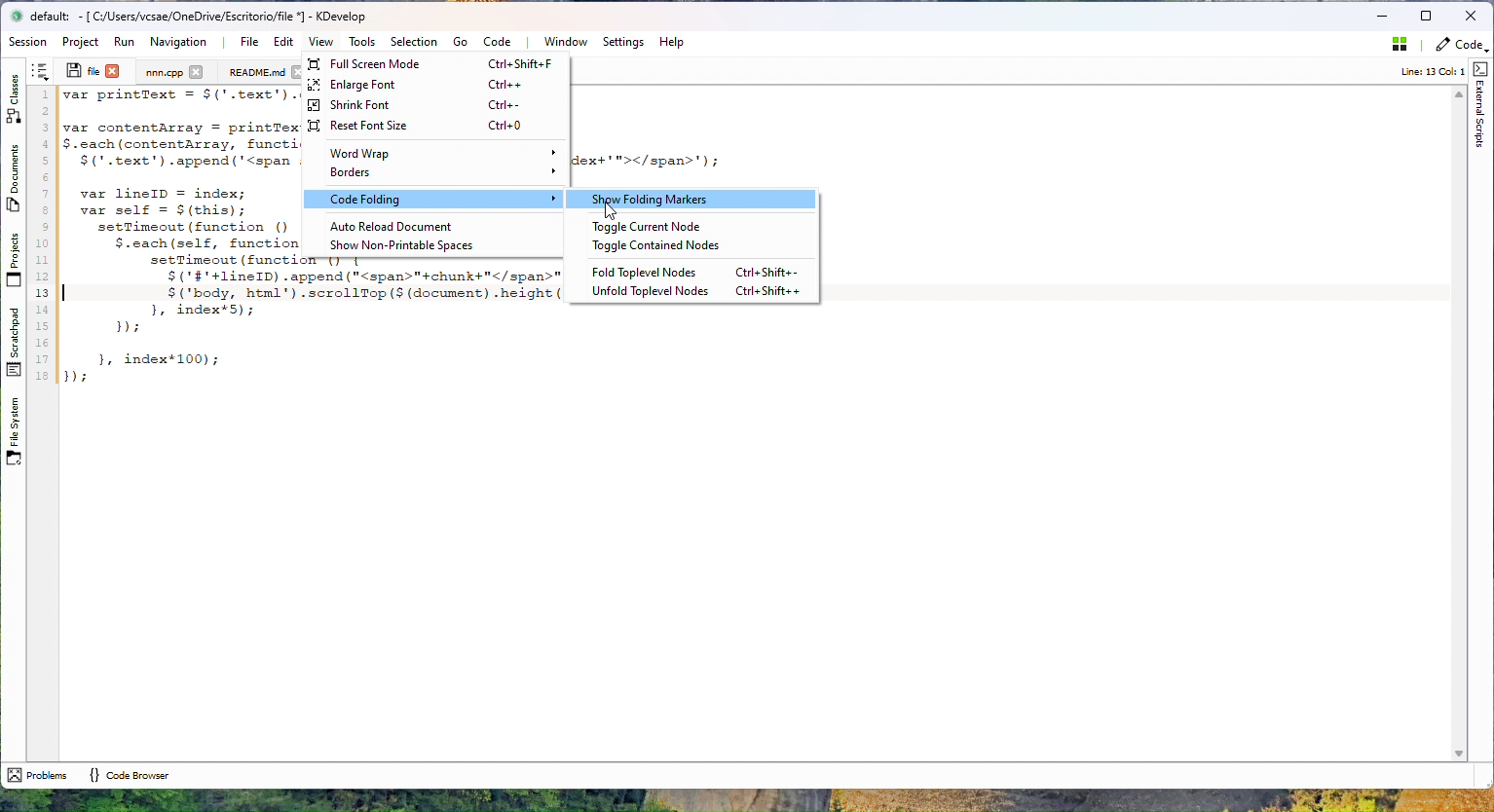  What do you see at coordinates (1460, 48) in the screenshot?
I see `code` at bounding box center [1460, 48].